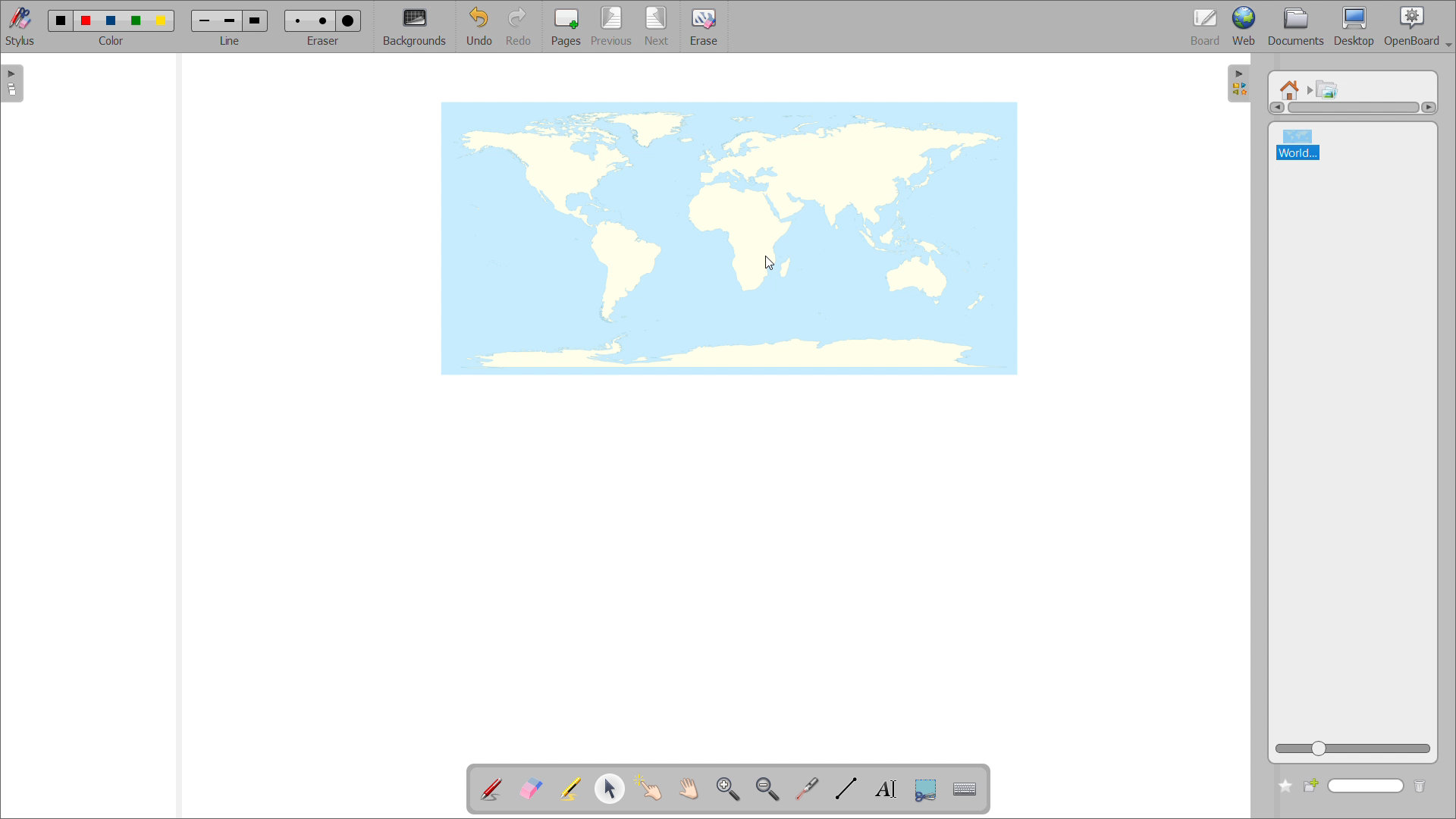 The width and height of the screenshot is (1456, 819). I want to click on pages, so click(566, 27).